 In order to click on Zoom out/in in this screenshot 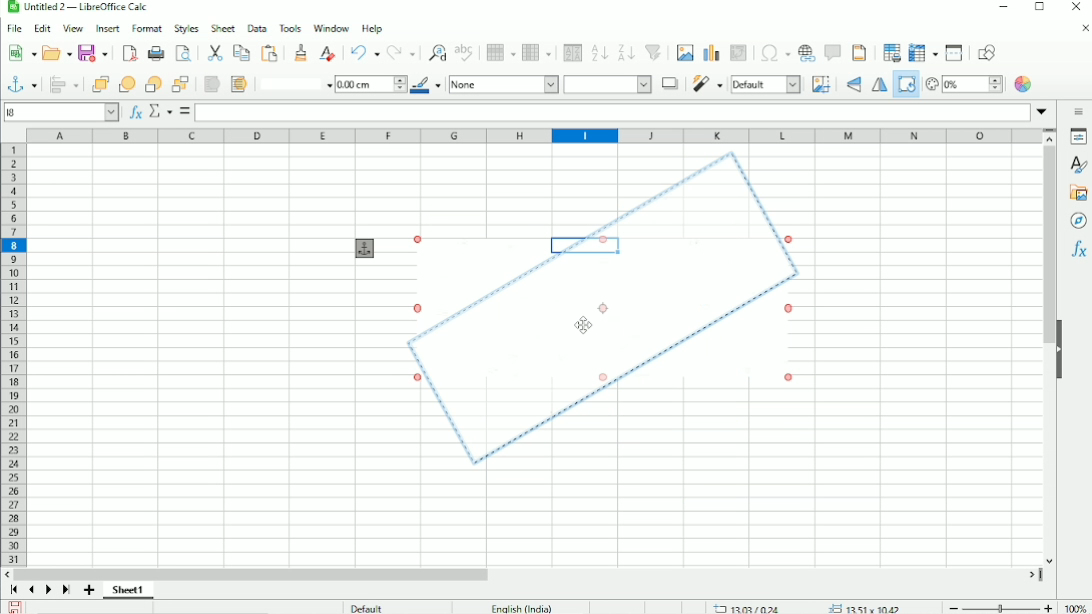, I will do `click(998, 605)`.